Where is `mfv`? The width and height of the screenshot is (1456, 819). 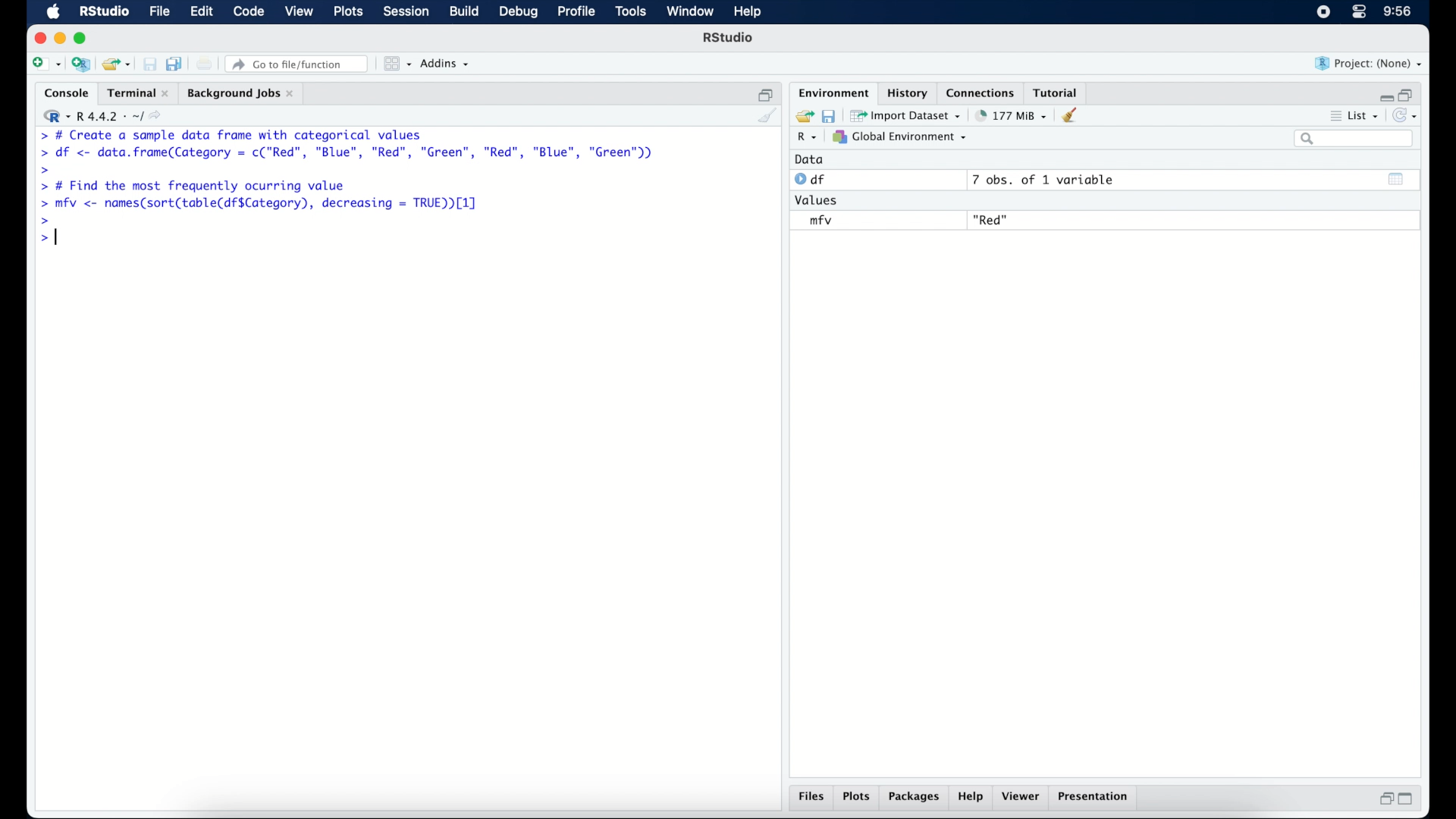 mfv is located at coordinates (821, 220).